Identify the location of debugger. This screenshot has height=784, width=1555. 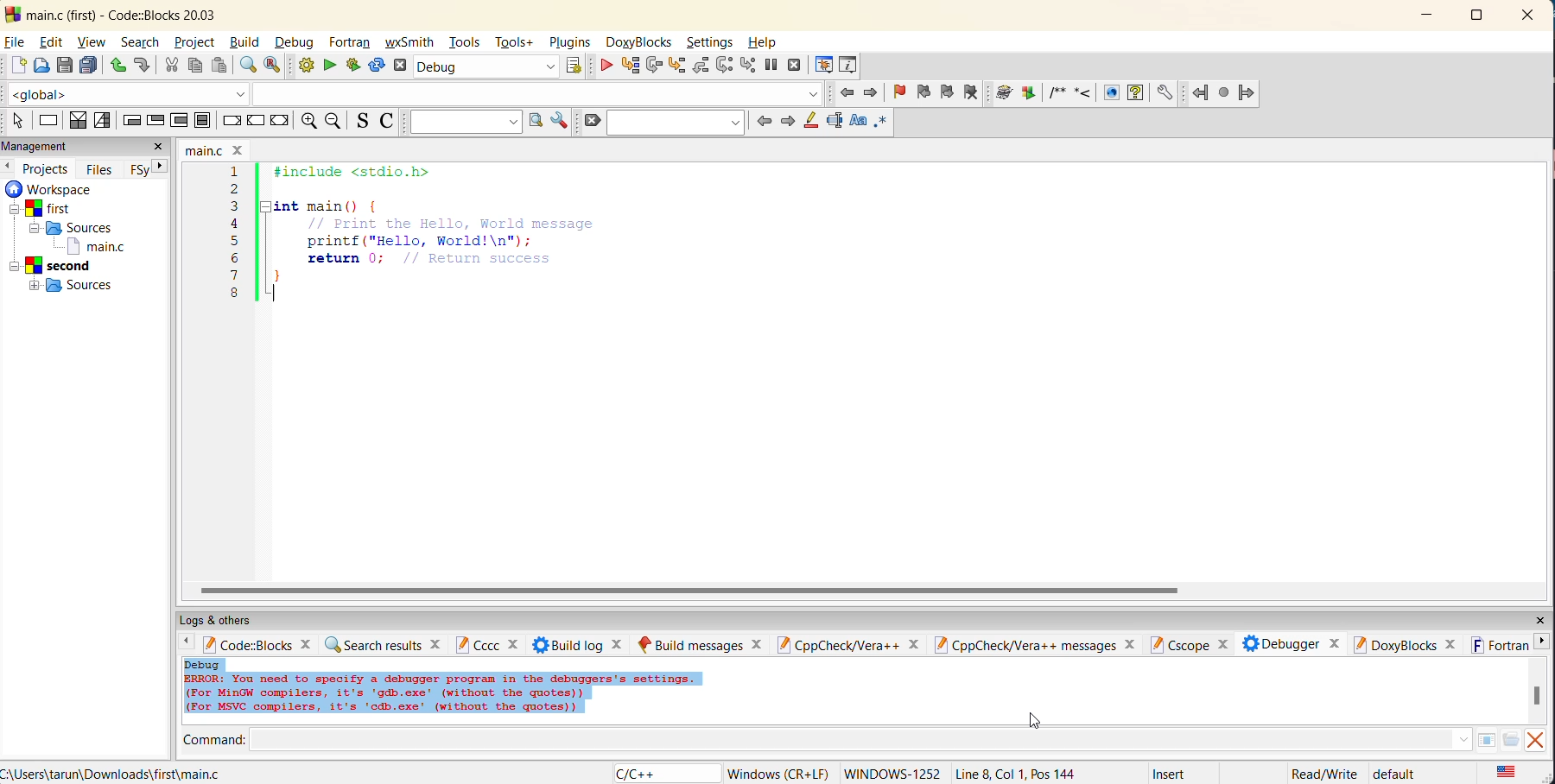
(1289, 643).